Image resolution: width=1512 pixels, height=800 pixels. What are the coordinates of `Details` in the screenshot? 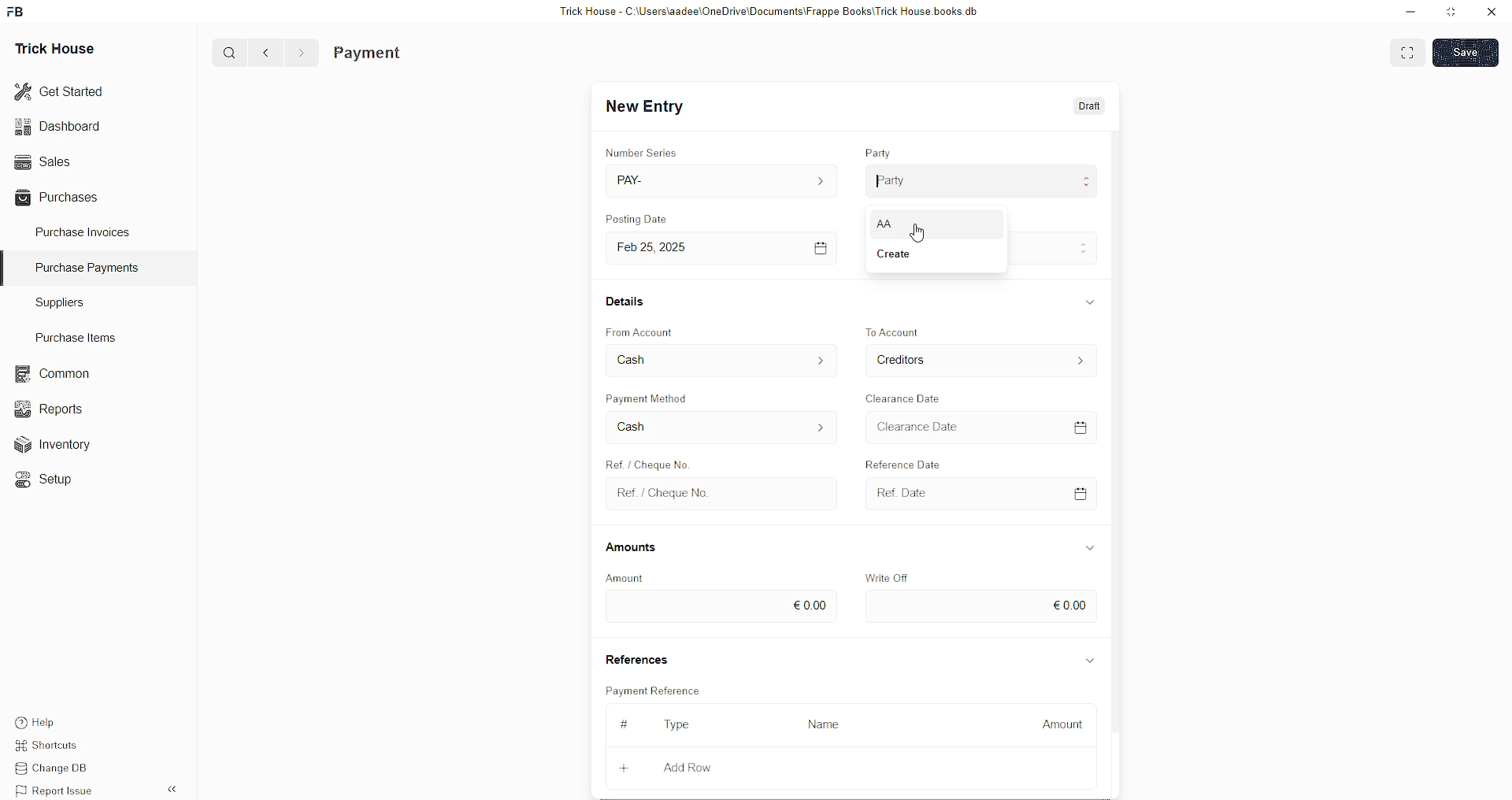 It's located at (628, 300).